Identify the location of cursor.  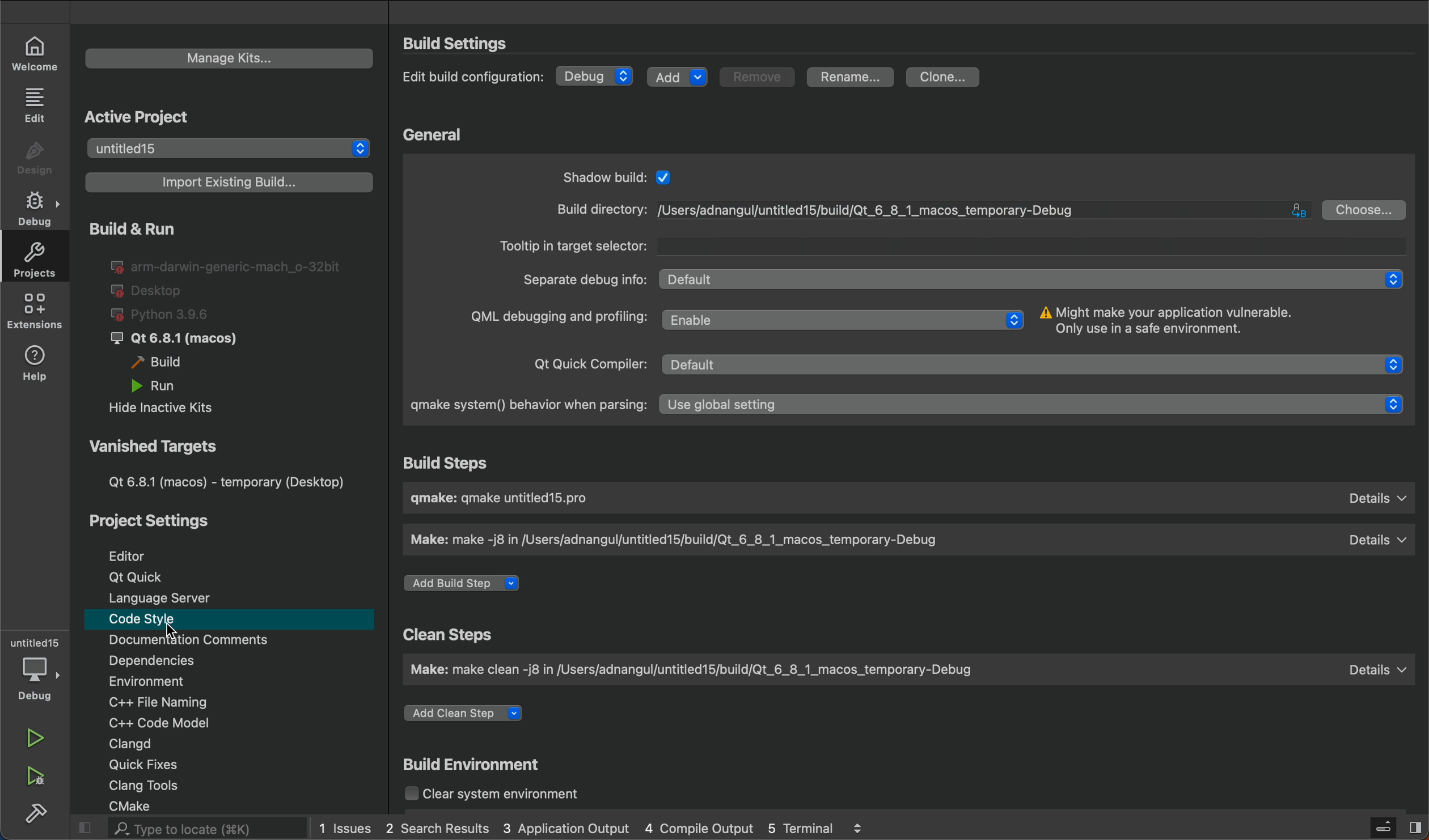
(175, 633).